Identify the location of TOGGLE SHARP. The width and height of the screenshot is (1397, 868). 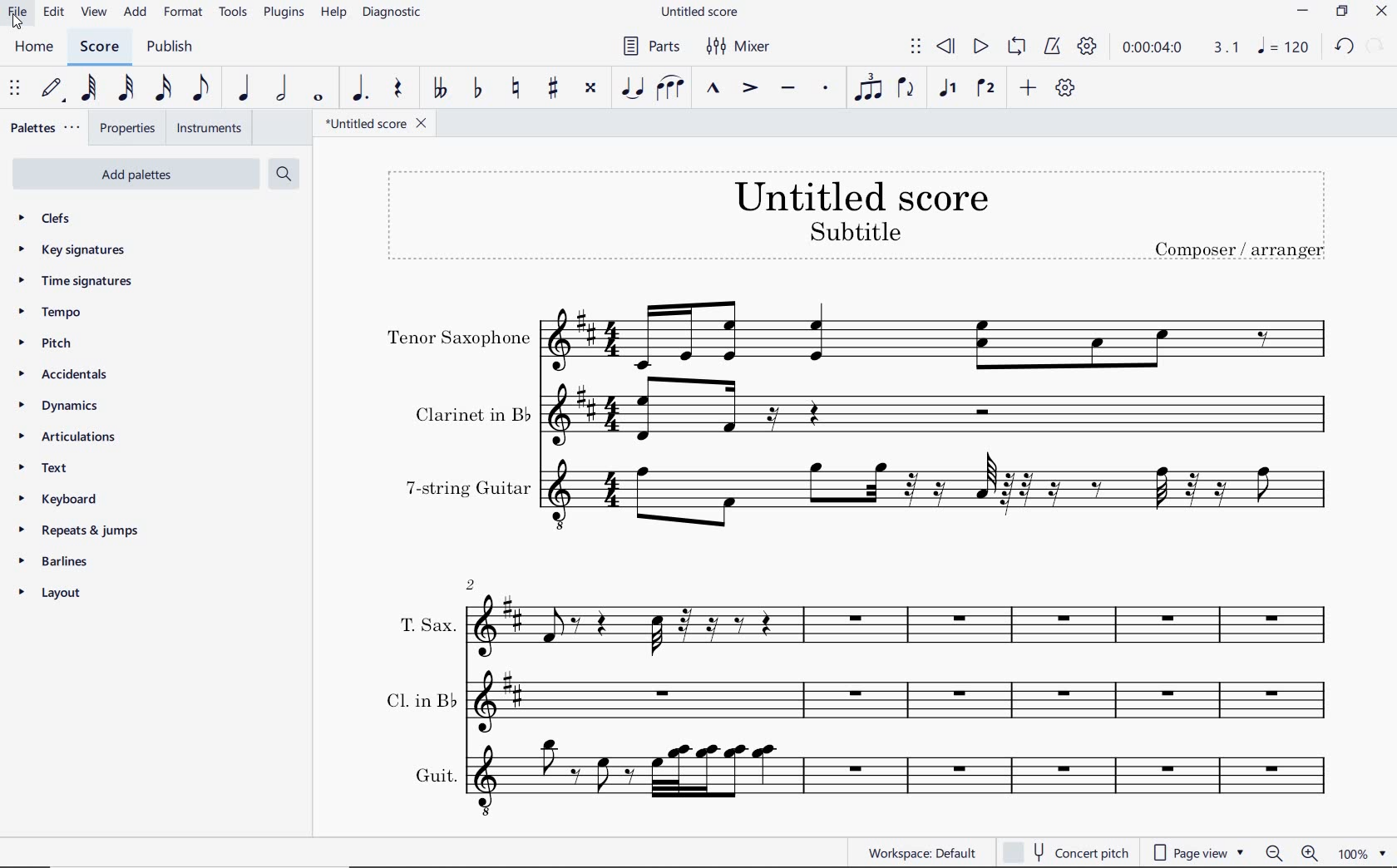
(554, 90).